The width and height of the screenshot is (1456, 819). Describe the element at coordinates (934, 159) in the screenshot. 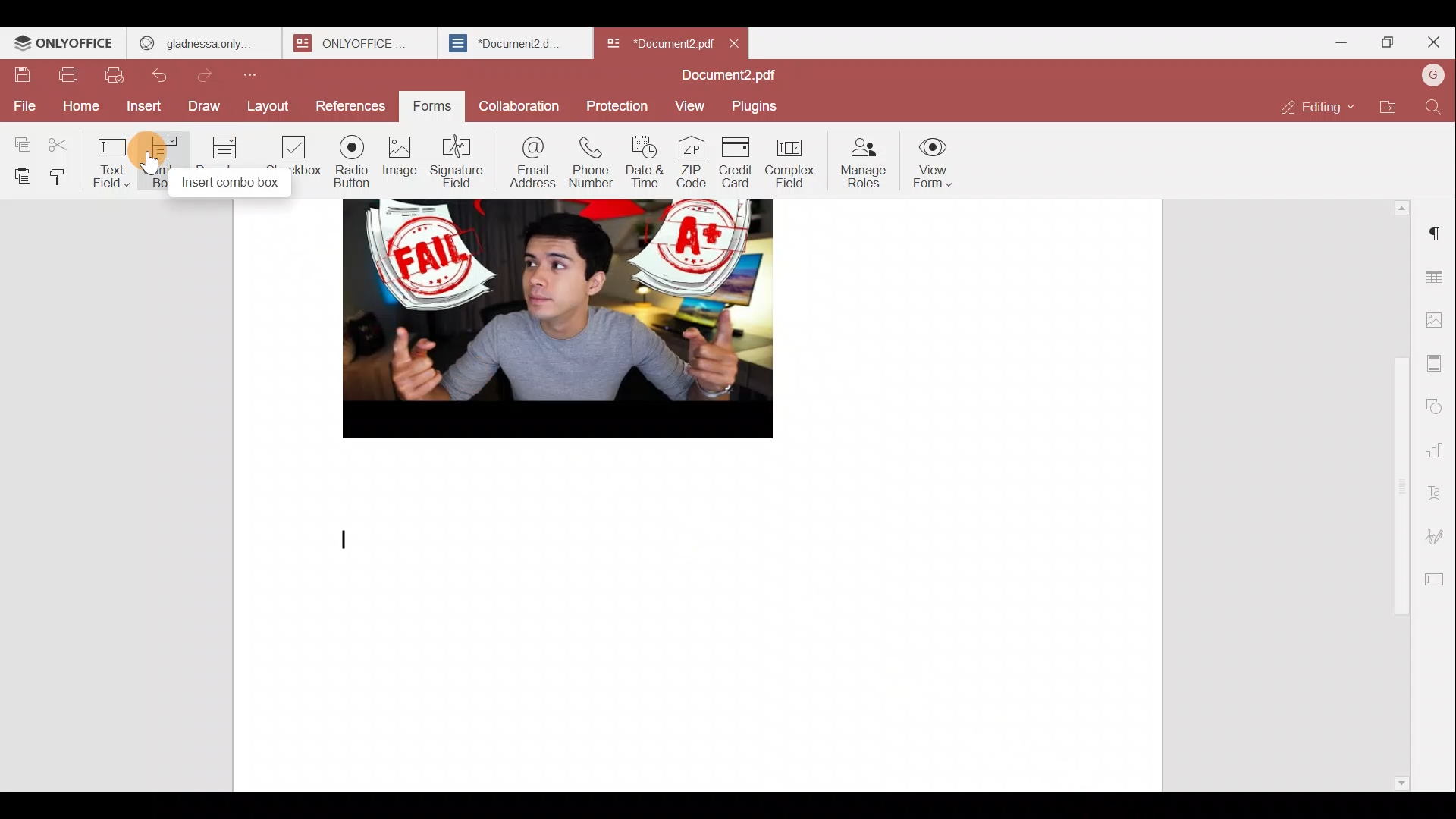

I see `View form` at that location.